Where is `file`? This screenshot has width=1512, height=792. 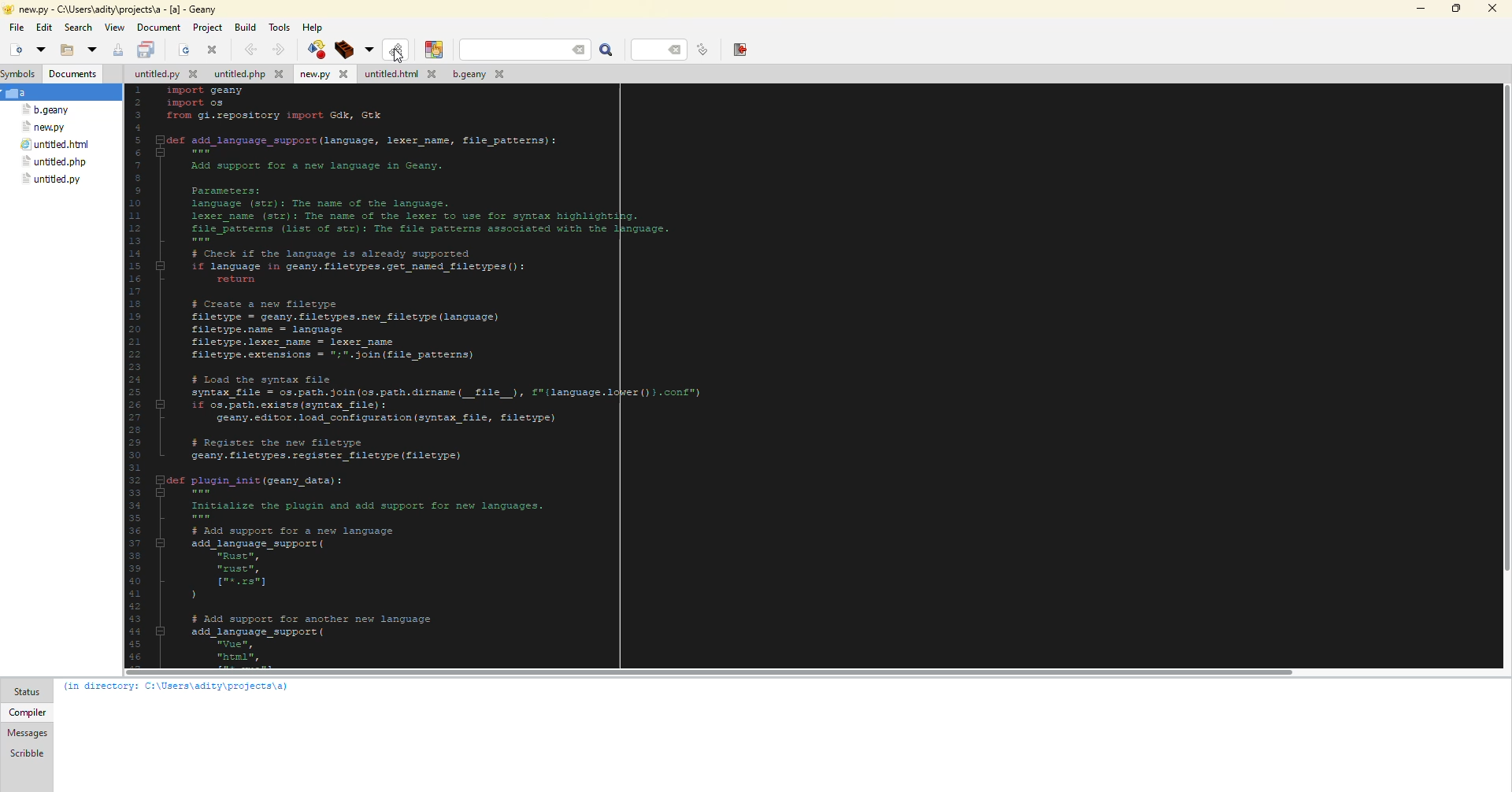
file is located at coordinates (398, 74).